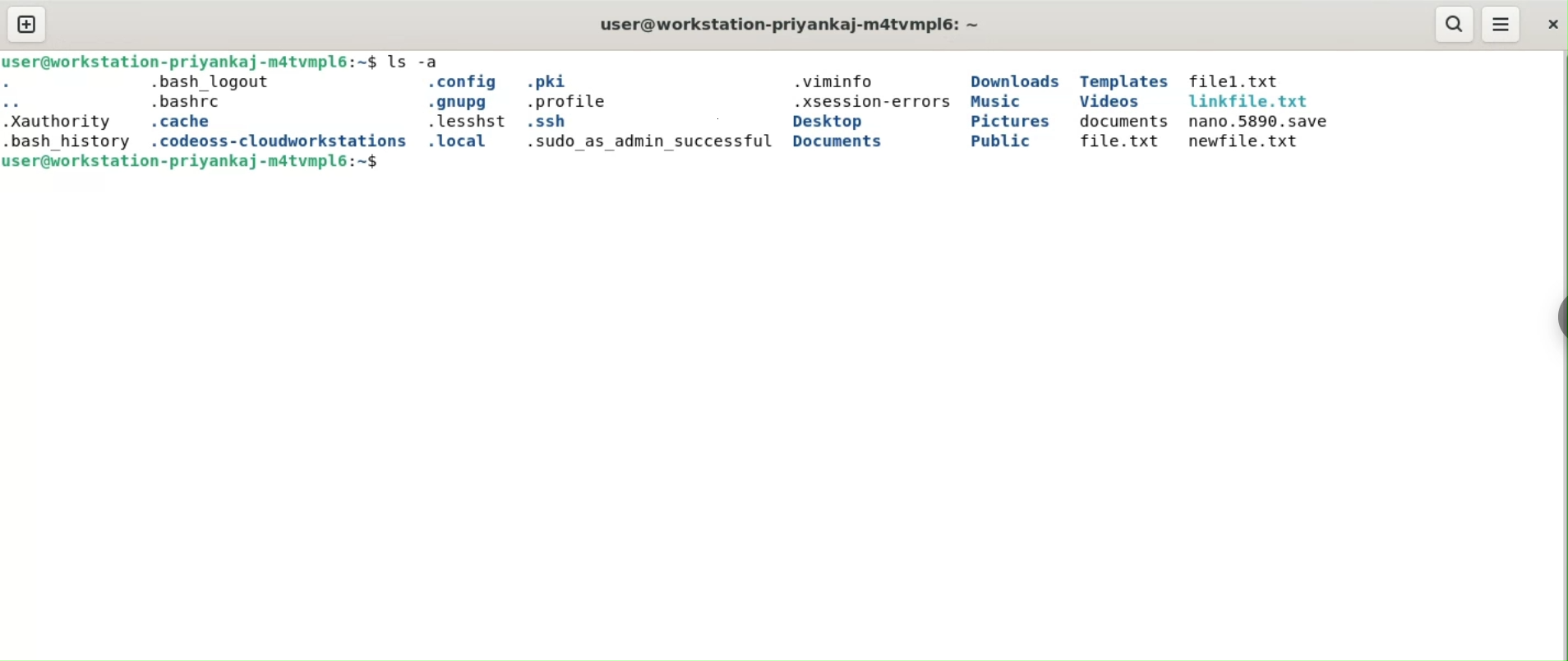 The image size is (1568, 661). Describe the element at coordinates (670, 113) in the screenshot. I see `: -bash_Llogout .config .pk1 -viminio Downloads Templates Tilel.ixt

. .bashrc .gnupg .profile .xsession-errors Music Videos linkfile. txt
Xauthority .cache .lesshst .ssh Desktop Pictures documents nano.5896.sa
bash history .codeoss-cloudworkstations .local .sudo as admin successful Documents Public file.txt newfile.txt` at that location.